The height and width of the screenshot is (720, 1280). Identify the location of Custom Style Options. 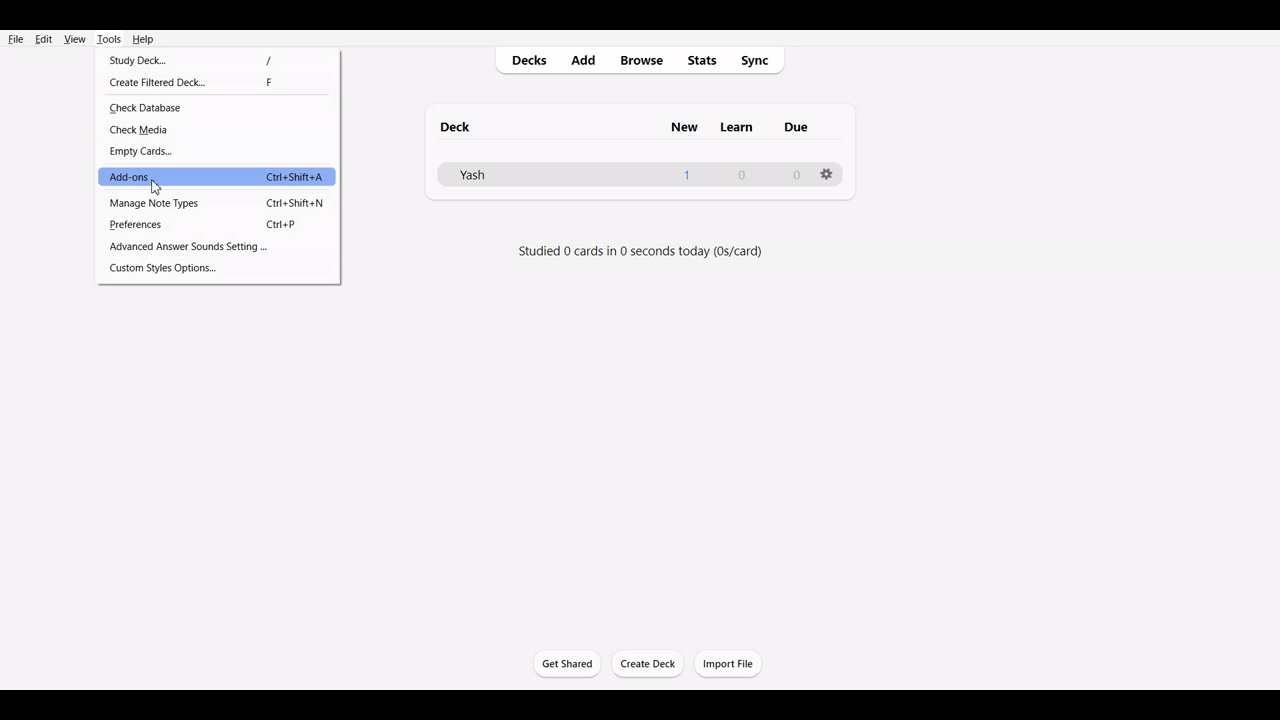
(218, 268).